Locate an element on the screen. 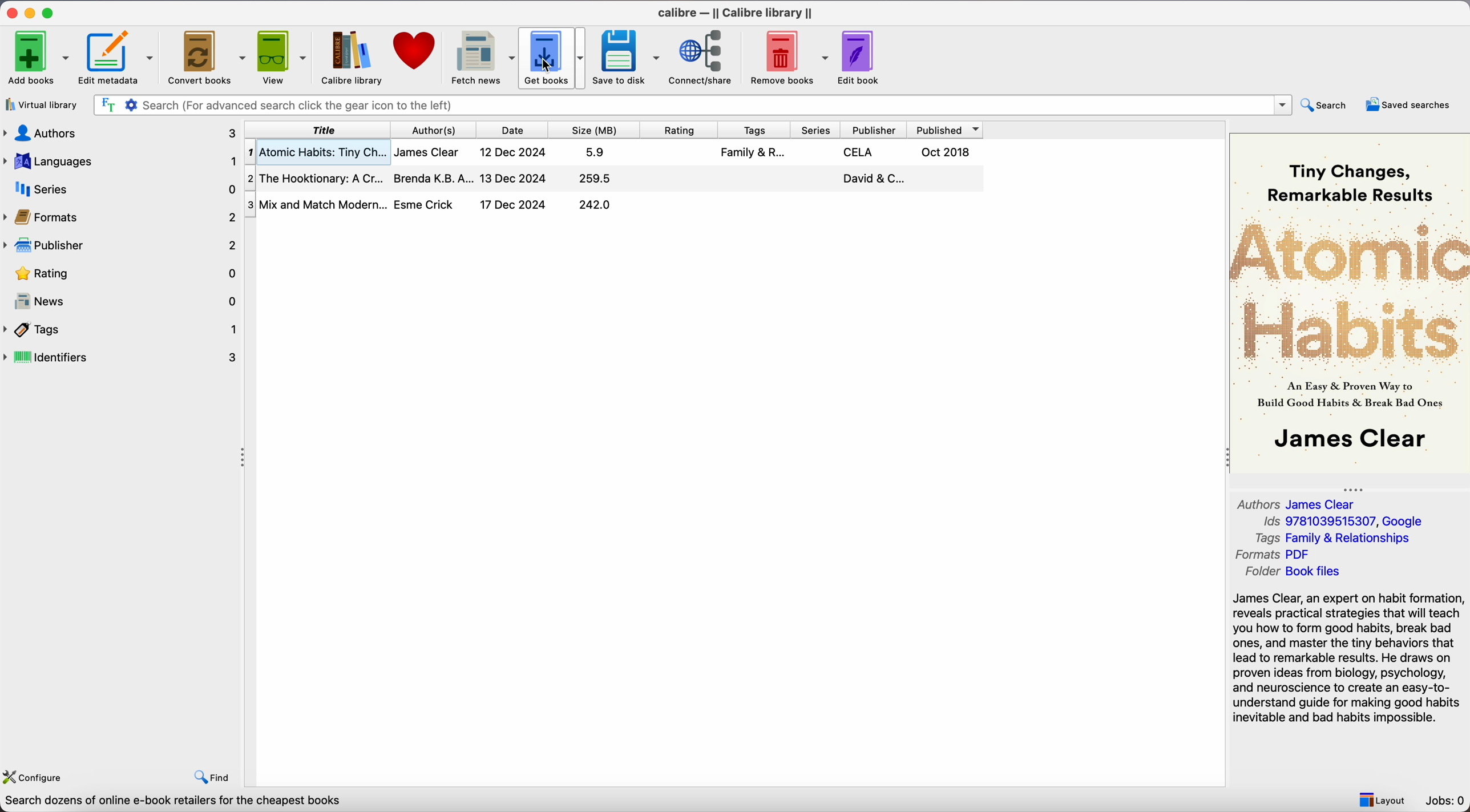 The image size is (1470, 812). series is located at coordinates (815, 130).